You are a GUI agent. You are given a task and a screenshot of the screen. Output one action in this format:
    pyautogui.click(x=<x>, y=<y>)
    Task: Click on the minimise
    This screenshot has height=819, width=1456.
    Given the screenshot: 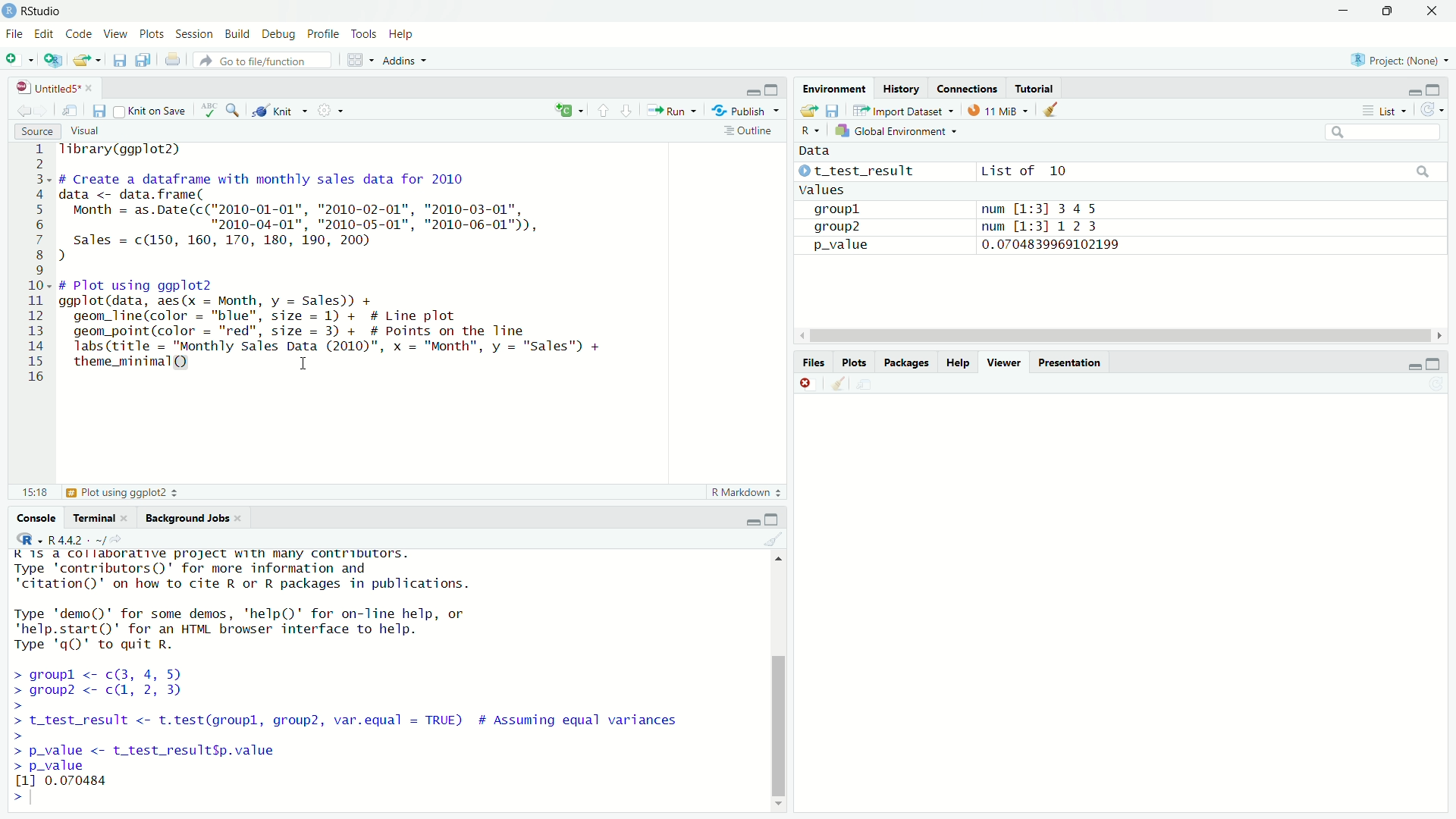 What is the action you would take?
    pyautogui.click(x=1413, y=365)
    